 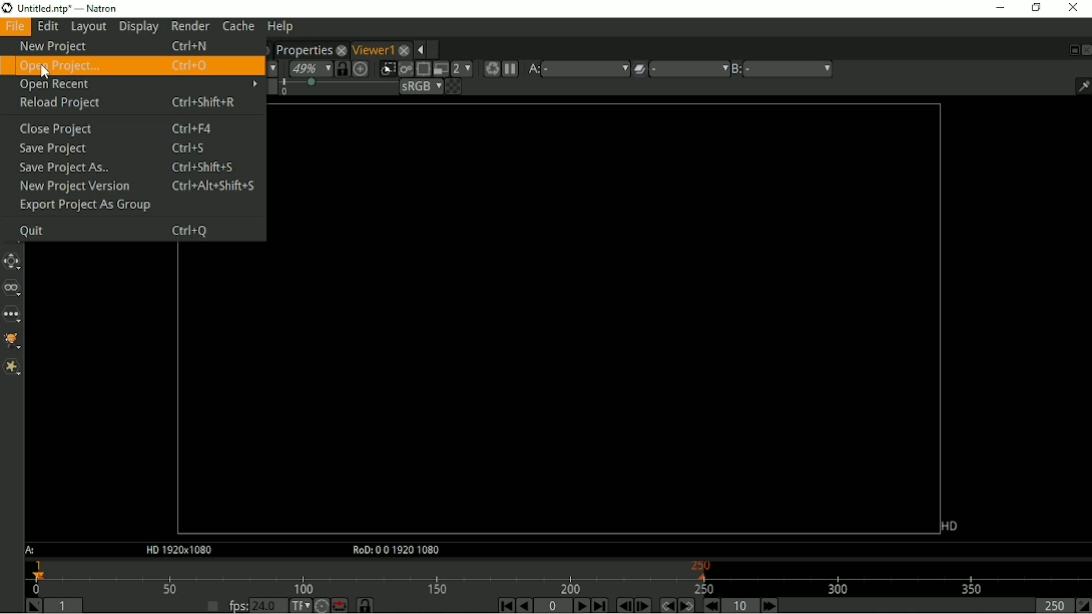 I want to click on Reload Project, so click(x=135, y=103).